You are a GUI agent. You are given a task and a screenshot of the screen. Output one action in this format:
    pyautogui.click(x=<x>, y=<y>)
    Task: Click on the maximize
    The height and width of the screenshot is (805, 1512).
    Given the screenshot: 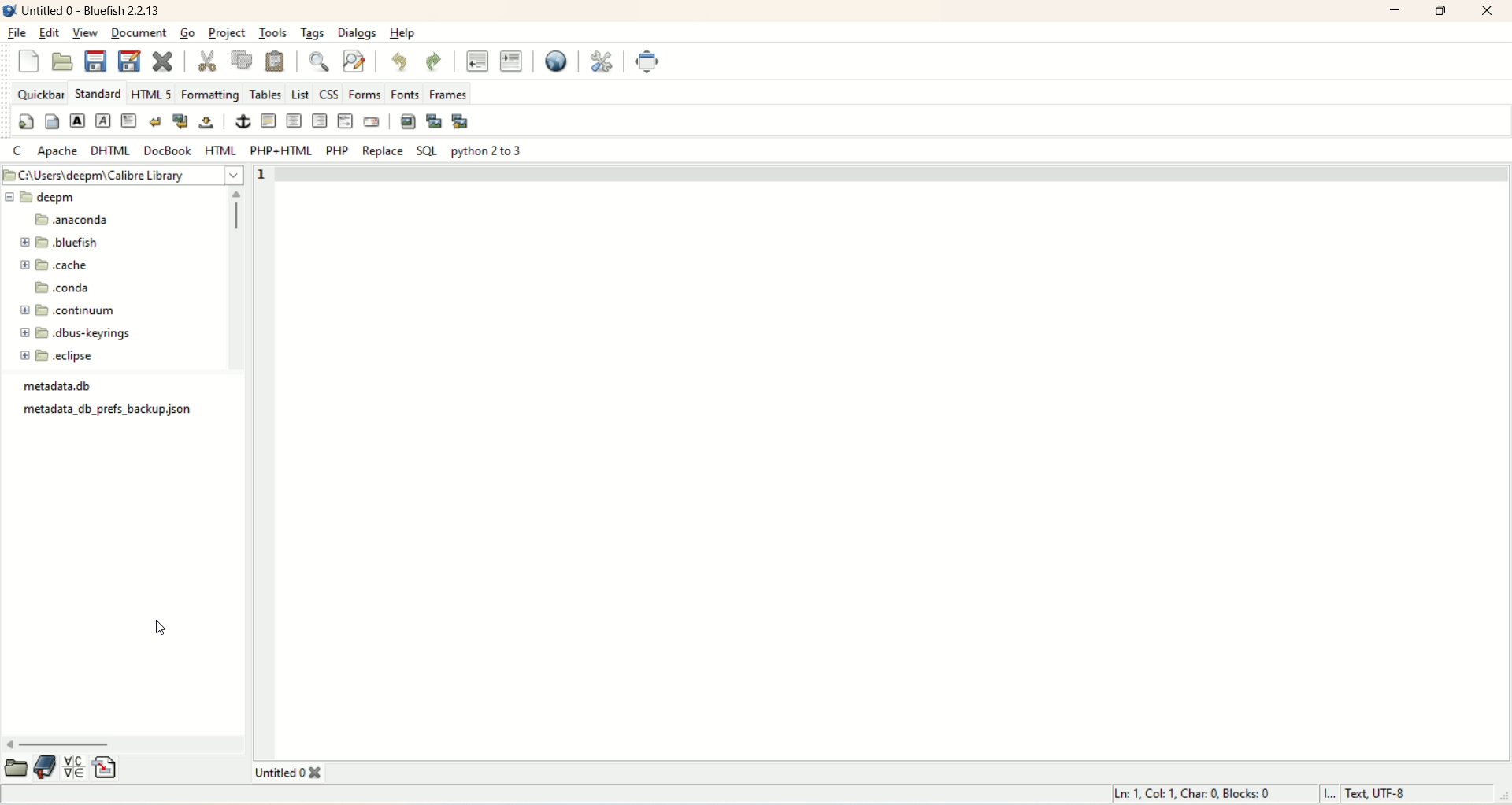 What is the action you would take?
    pyautogui.click(x=1442, y=12)
    